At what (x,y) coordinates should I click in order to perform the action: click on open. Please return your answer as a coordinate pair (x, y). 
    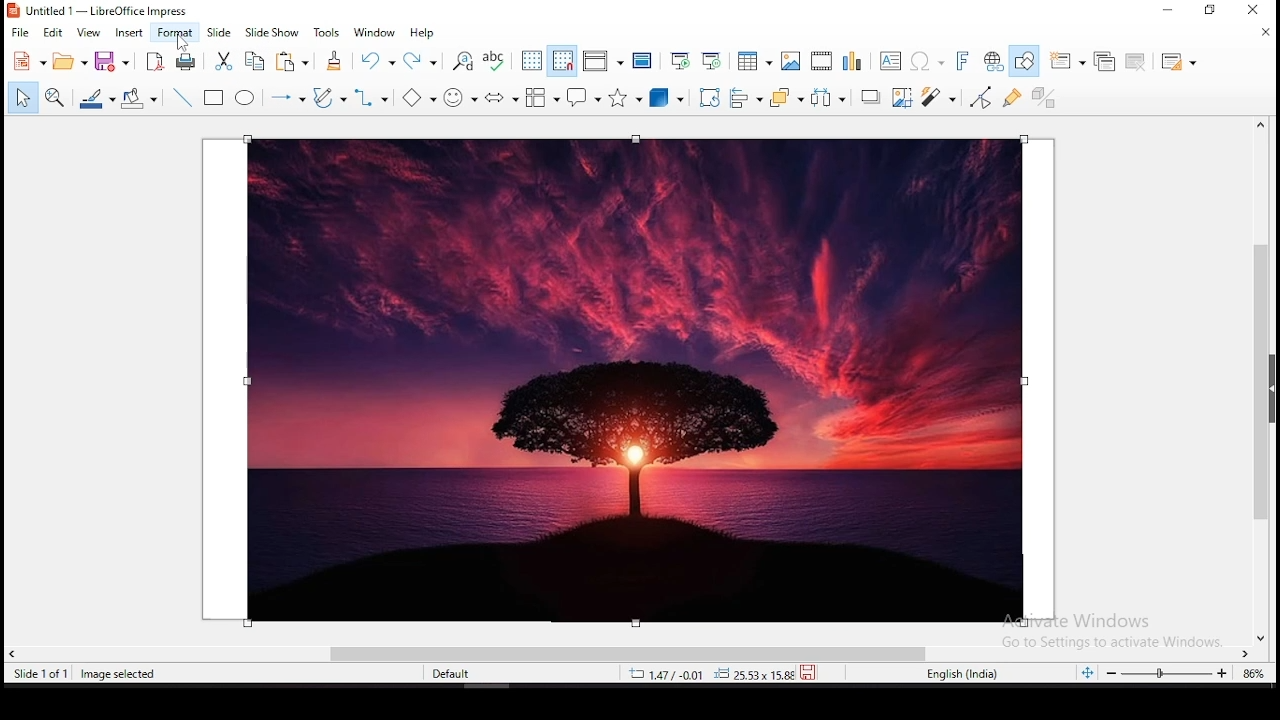
    Looking at the image, I should click on (68, 62).